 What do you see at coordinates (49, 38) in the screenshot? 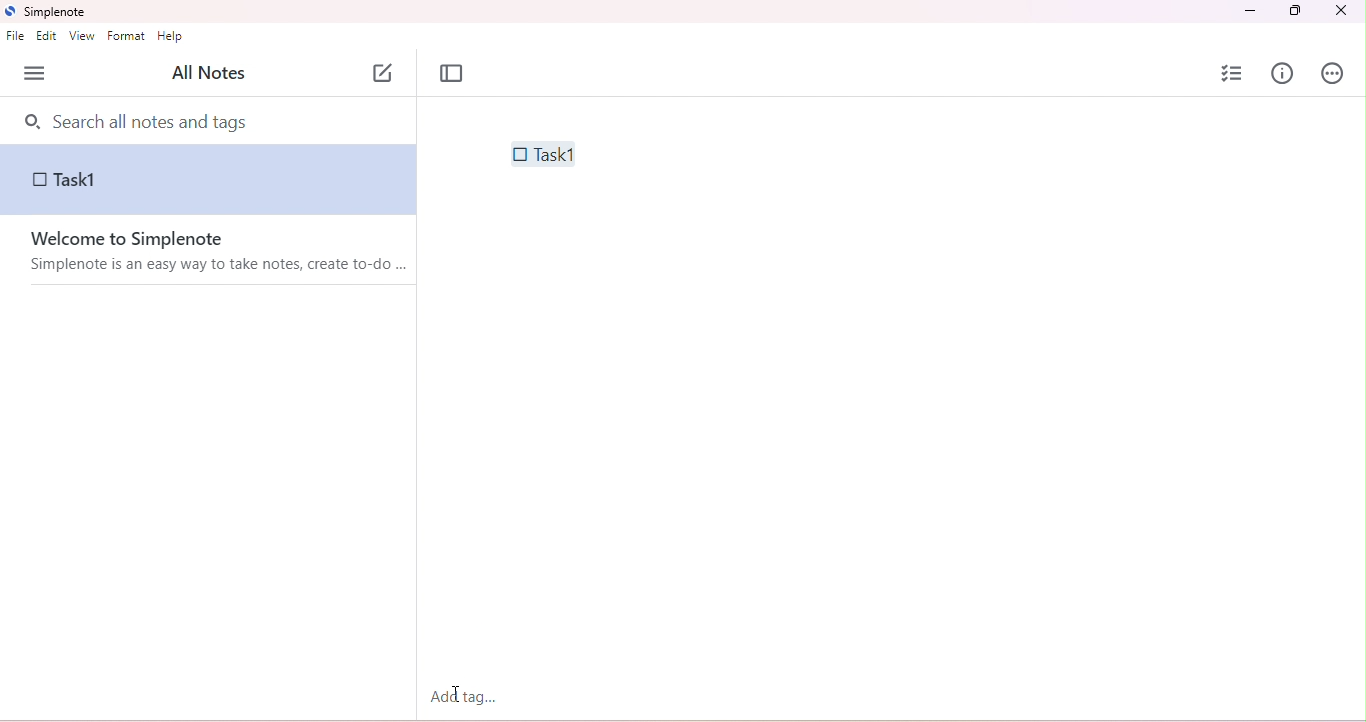
I see `edit` at bounding box center [49, 38].